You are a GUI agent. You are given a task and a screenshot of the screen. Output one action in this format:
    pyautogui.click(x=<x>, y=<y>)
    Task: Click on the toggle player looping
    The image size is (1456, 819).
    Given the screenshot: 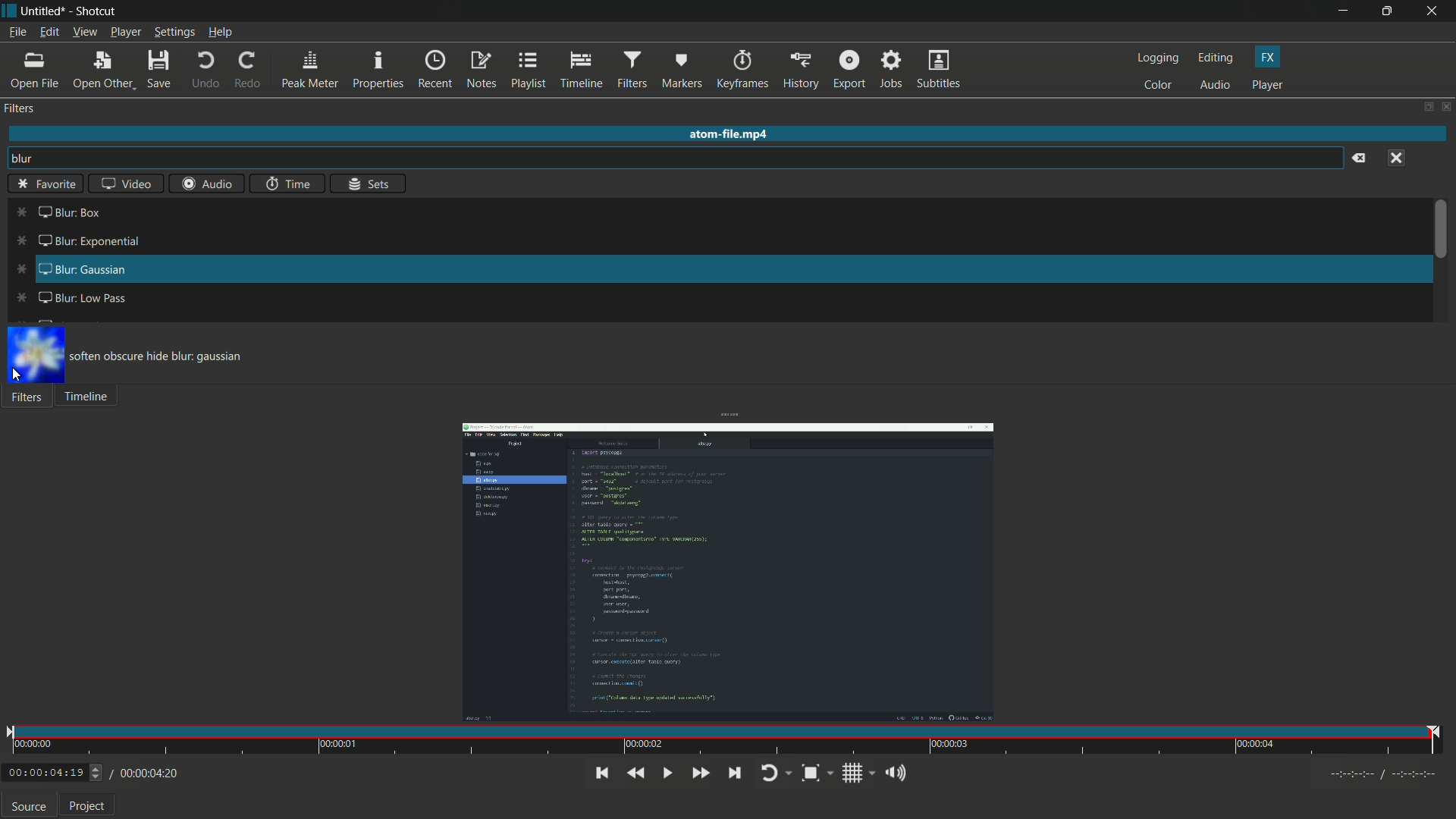 What is the action you would take?
    pyautogui.click(x=774, y=774)
    